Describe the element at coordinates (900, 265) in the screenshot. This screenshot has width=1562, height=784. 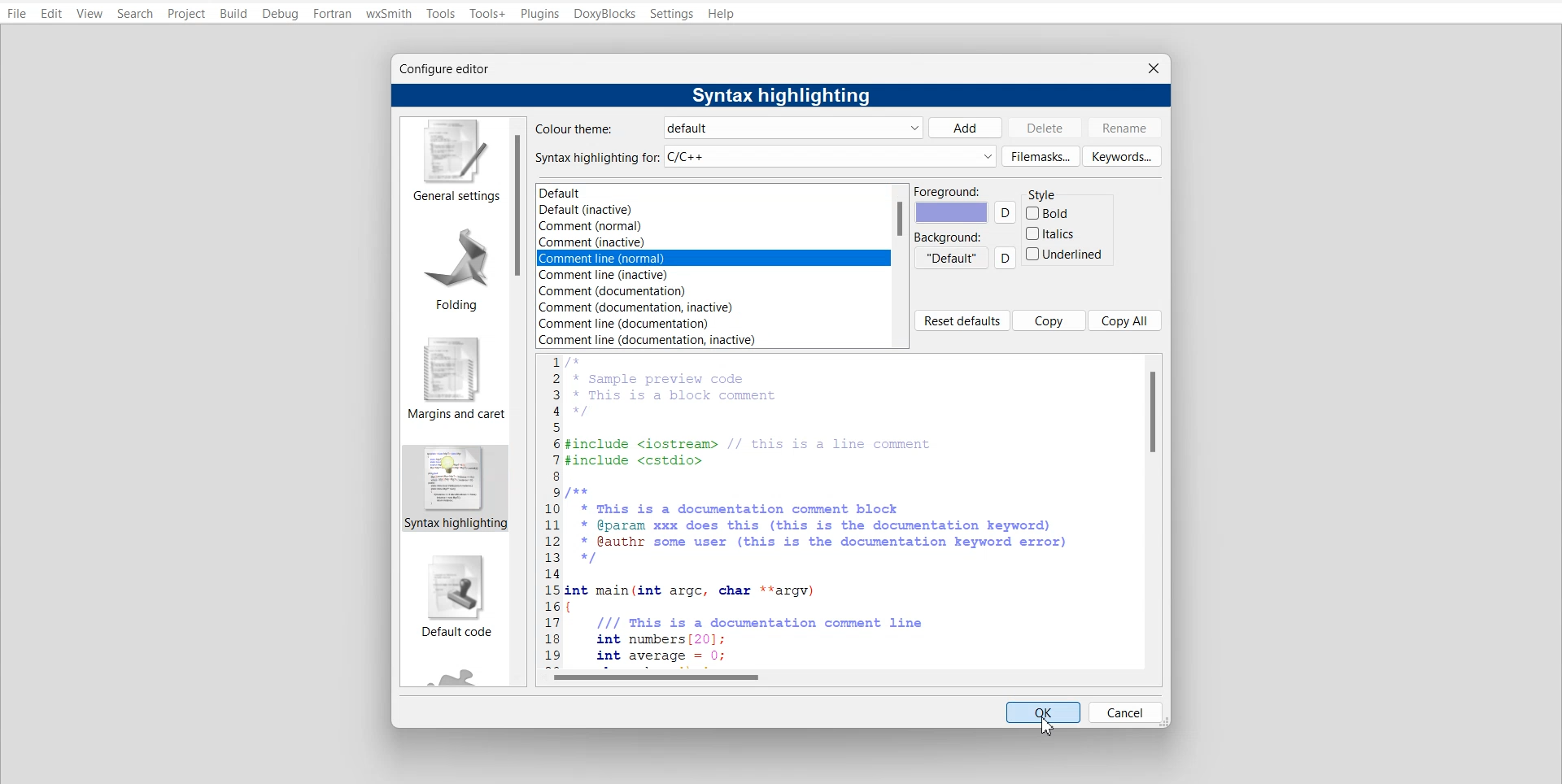
I see `Vertical scroll bar` at that location.